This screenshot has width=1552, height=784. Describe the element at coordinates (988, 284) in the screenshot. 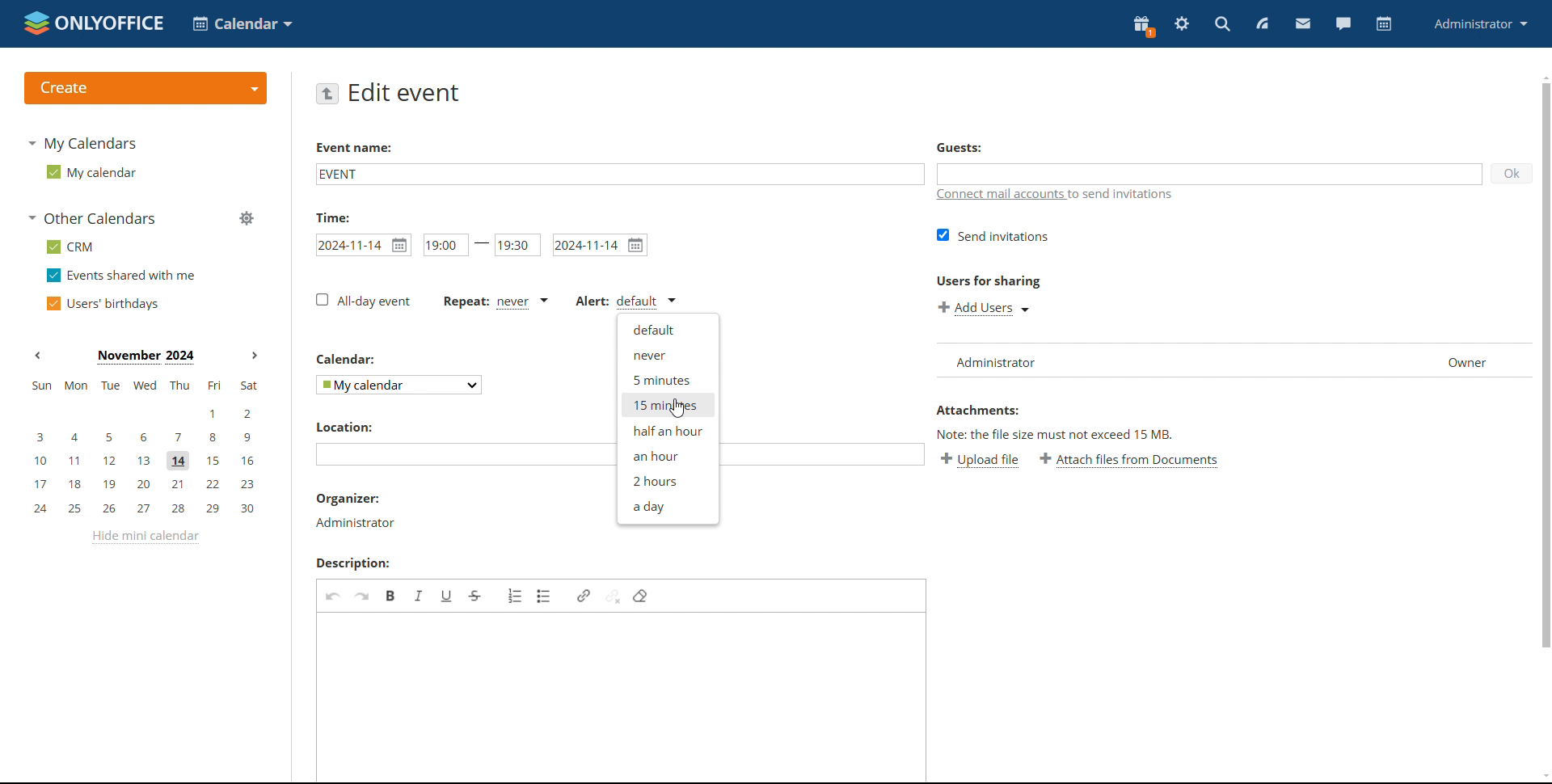

I see `users for sharing:` at that location.